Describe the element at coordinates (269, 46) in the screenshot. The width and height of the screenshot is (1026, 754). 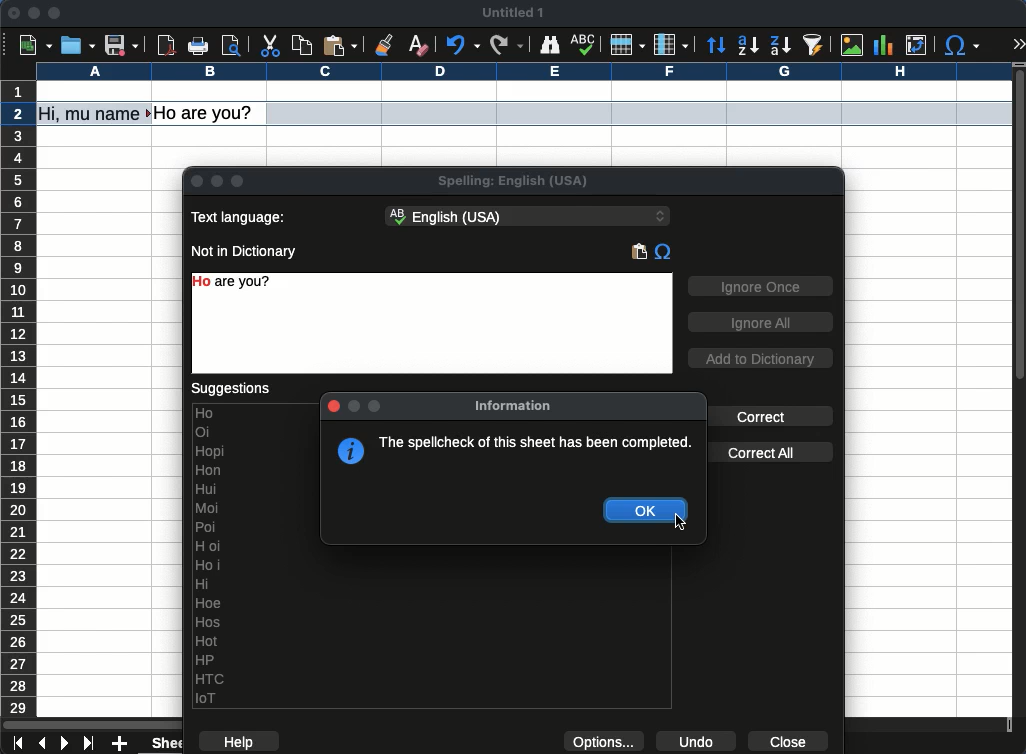
I see `cut` at that location.